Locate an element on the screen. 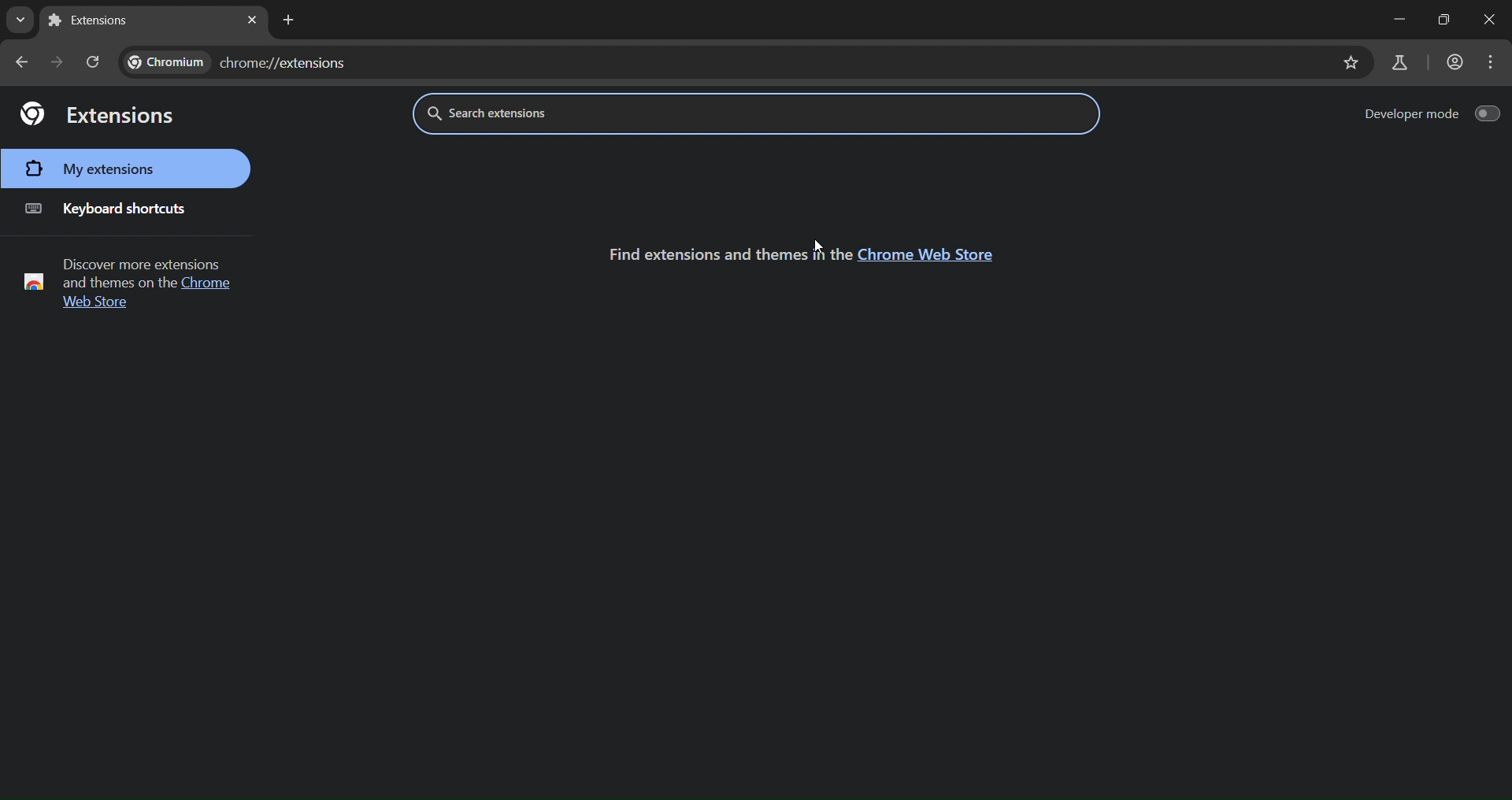 The image size is (1512, 800). developer mode is located at coordinates (1432, 110).